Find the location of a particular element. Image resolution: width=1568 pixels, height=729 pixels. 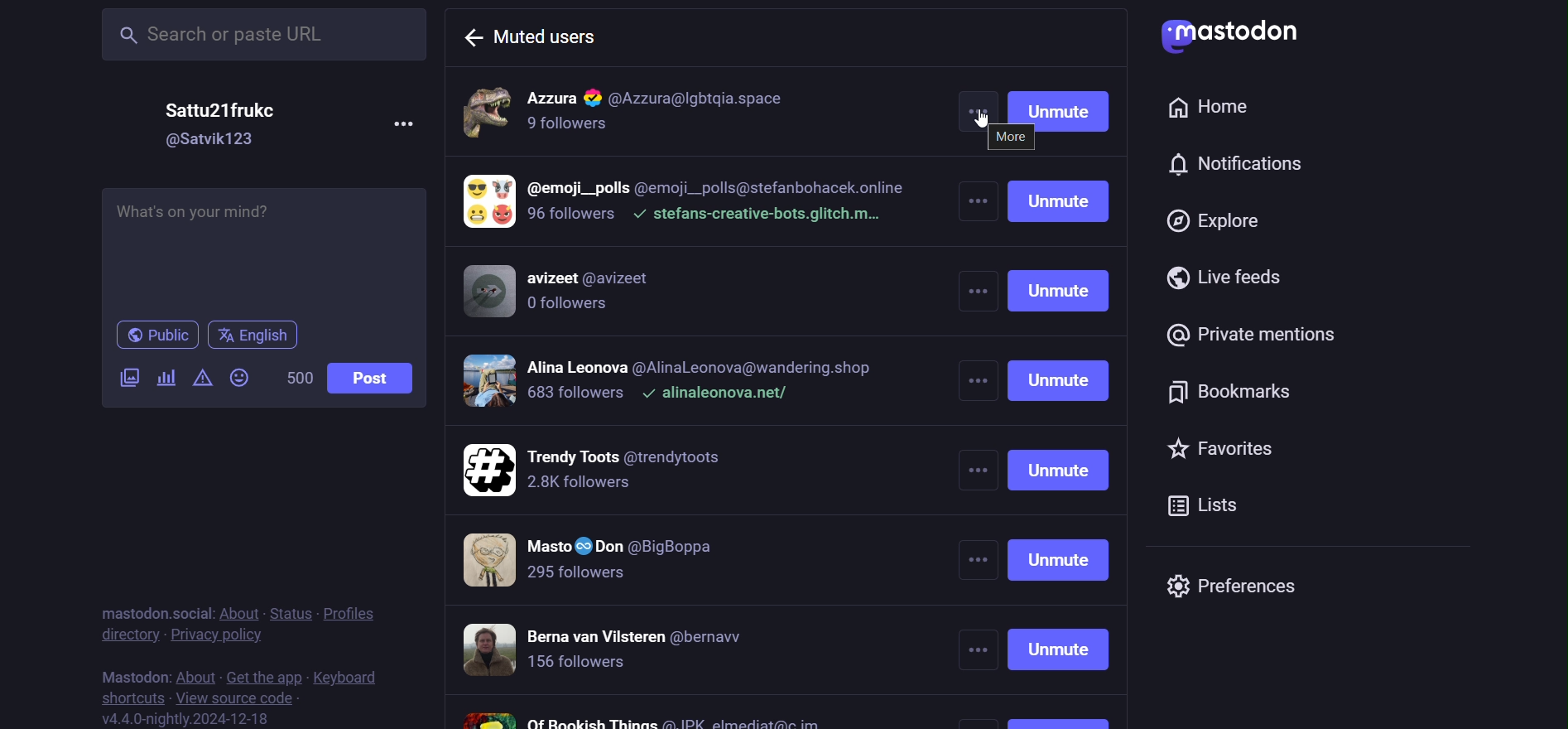

version is located at coordinates (185, 718).